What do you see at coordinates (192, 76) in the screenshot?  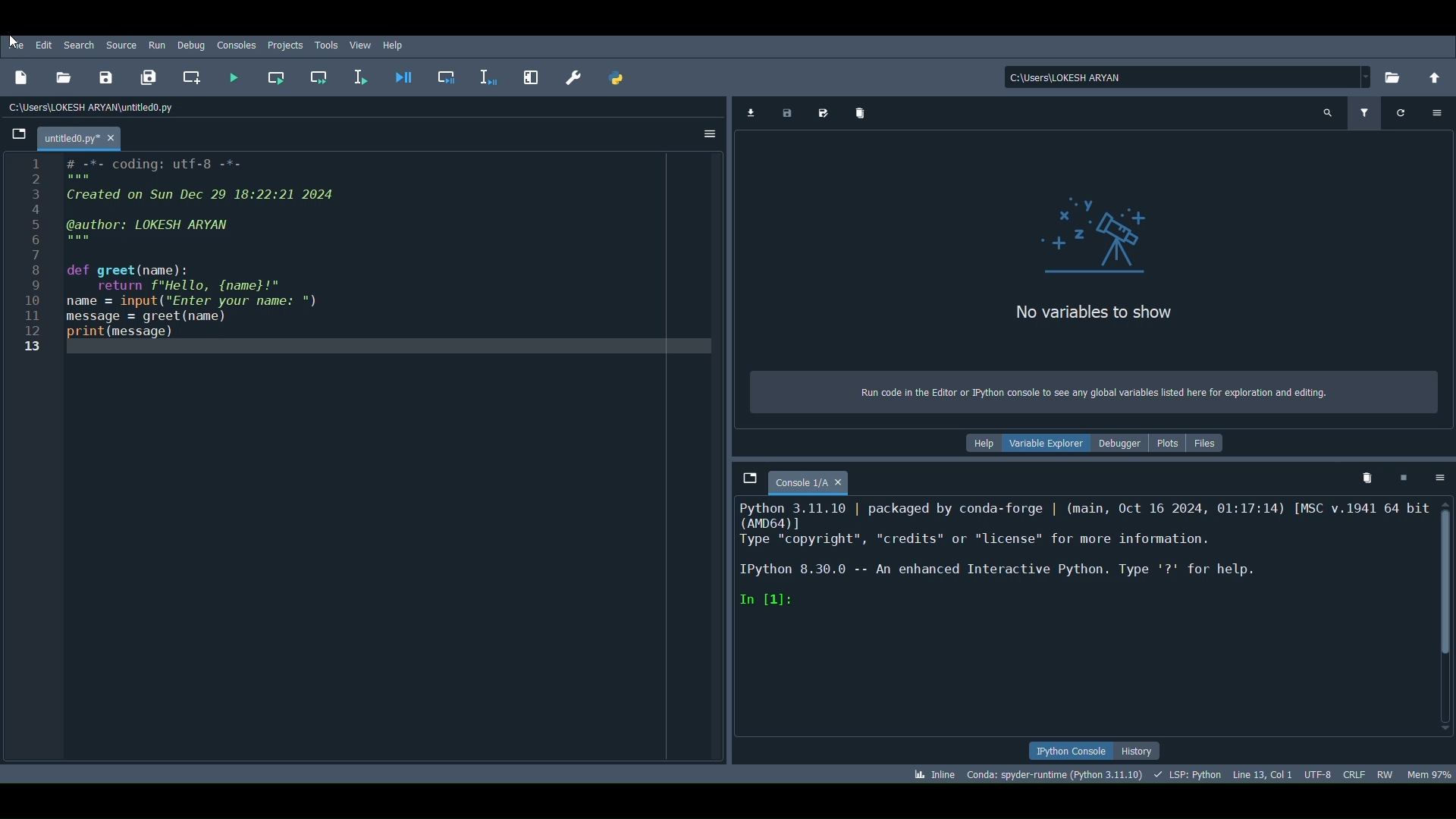 I see `Create new cell at the current line (Ctrl + 2)` at bounding box center [192, 76].